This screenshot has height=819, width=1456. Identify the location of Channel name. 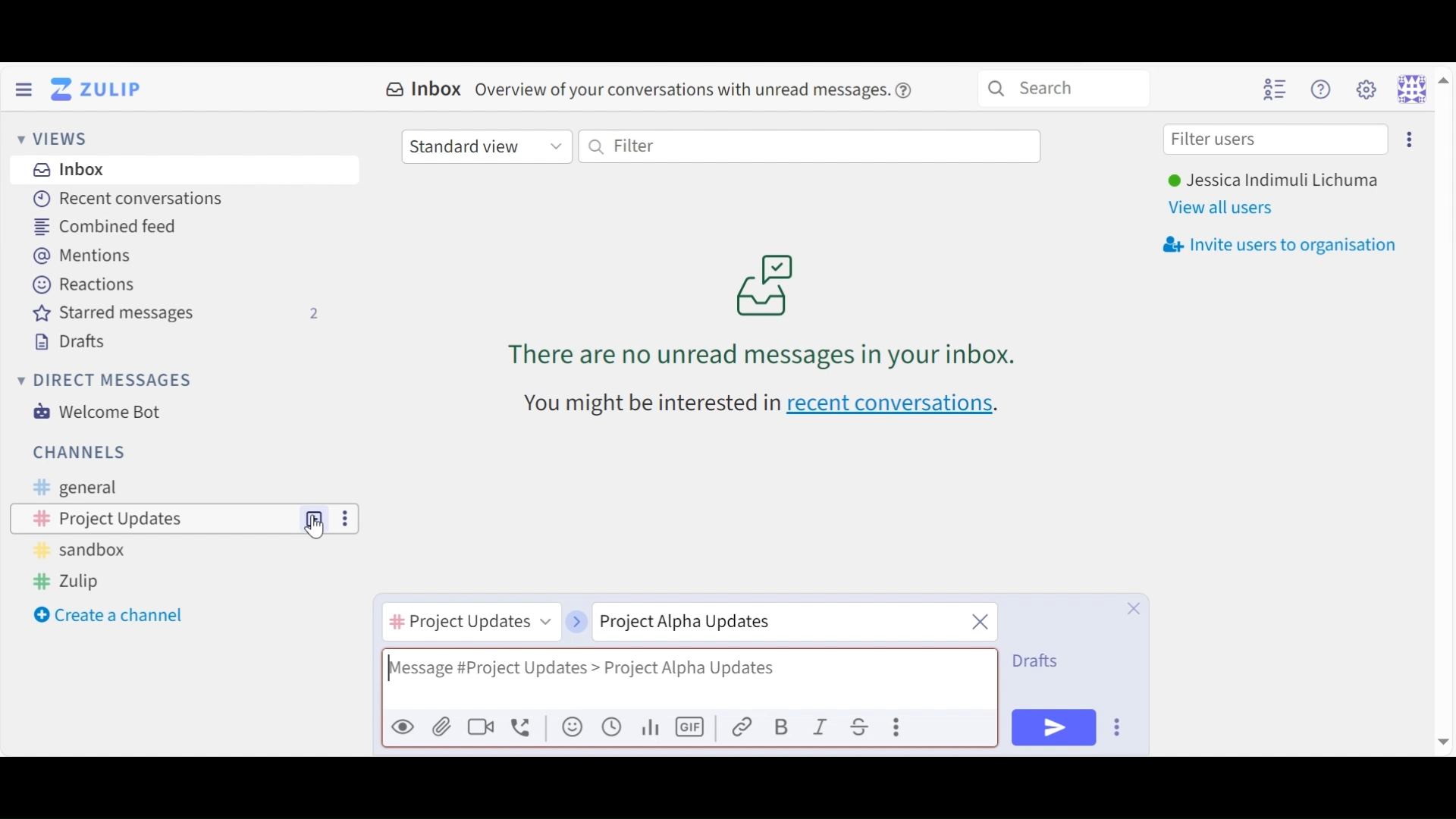
(470, 624).